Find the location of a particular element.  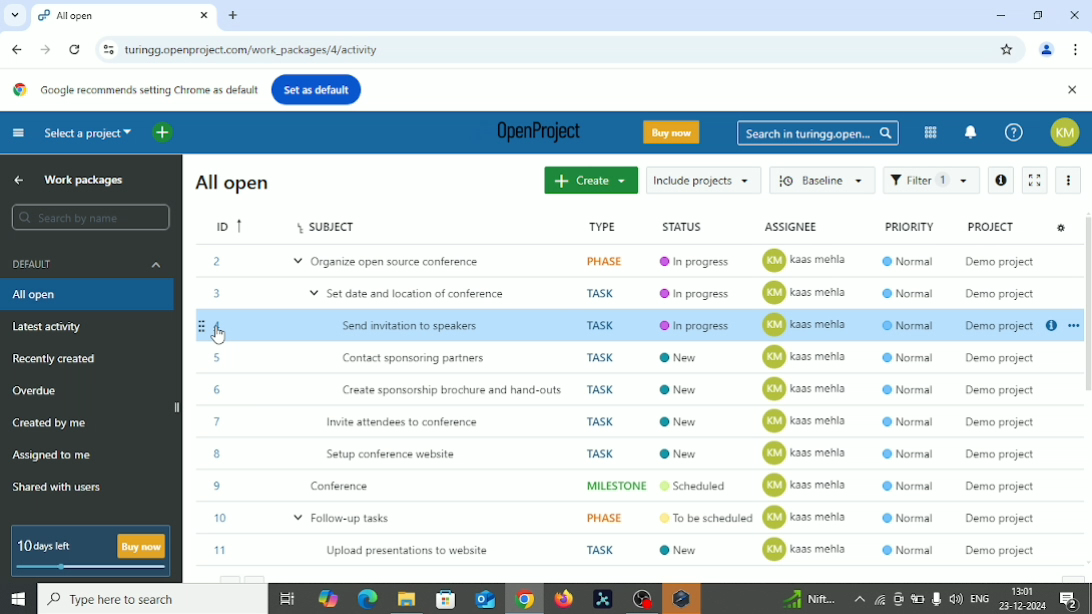

File explorer is located at coordinates (405, 601).